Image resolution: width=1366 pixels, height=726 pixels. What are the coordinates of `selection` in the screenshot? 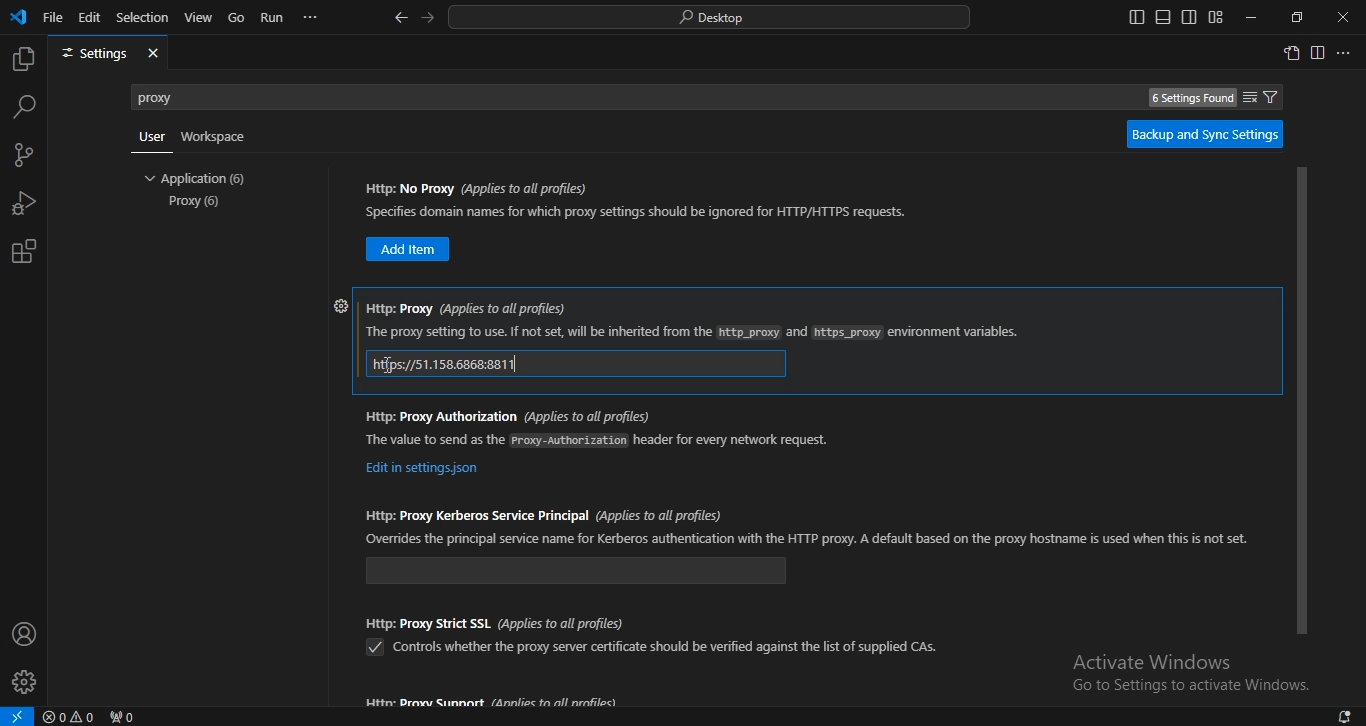 It's located at (144, 18).